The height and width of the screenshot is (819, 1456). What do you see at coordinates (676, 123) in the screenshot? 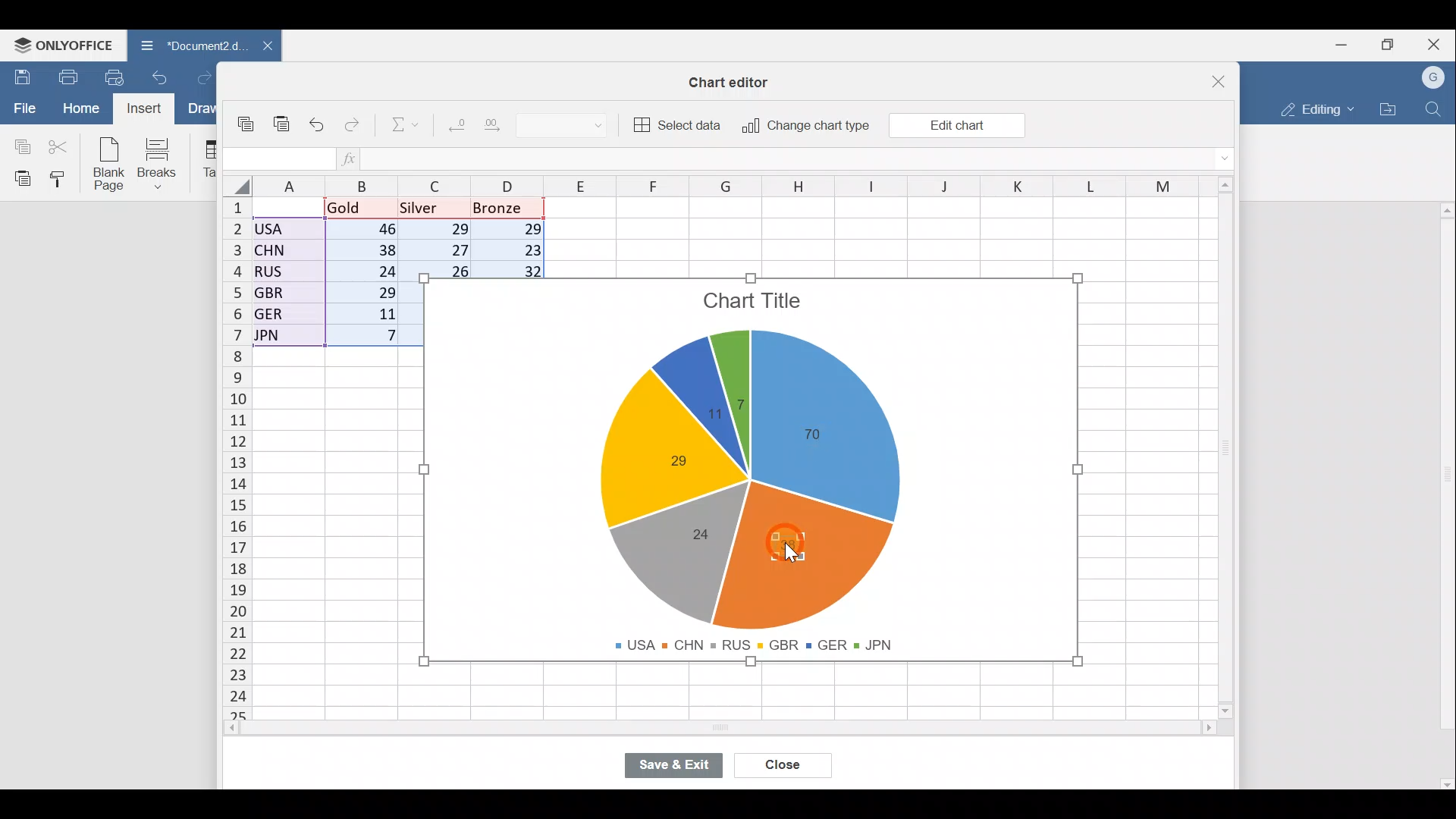
I see `Select data` at bounding box center [676, 123].